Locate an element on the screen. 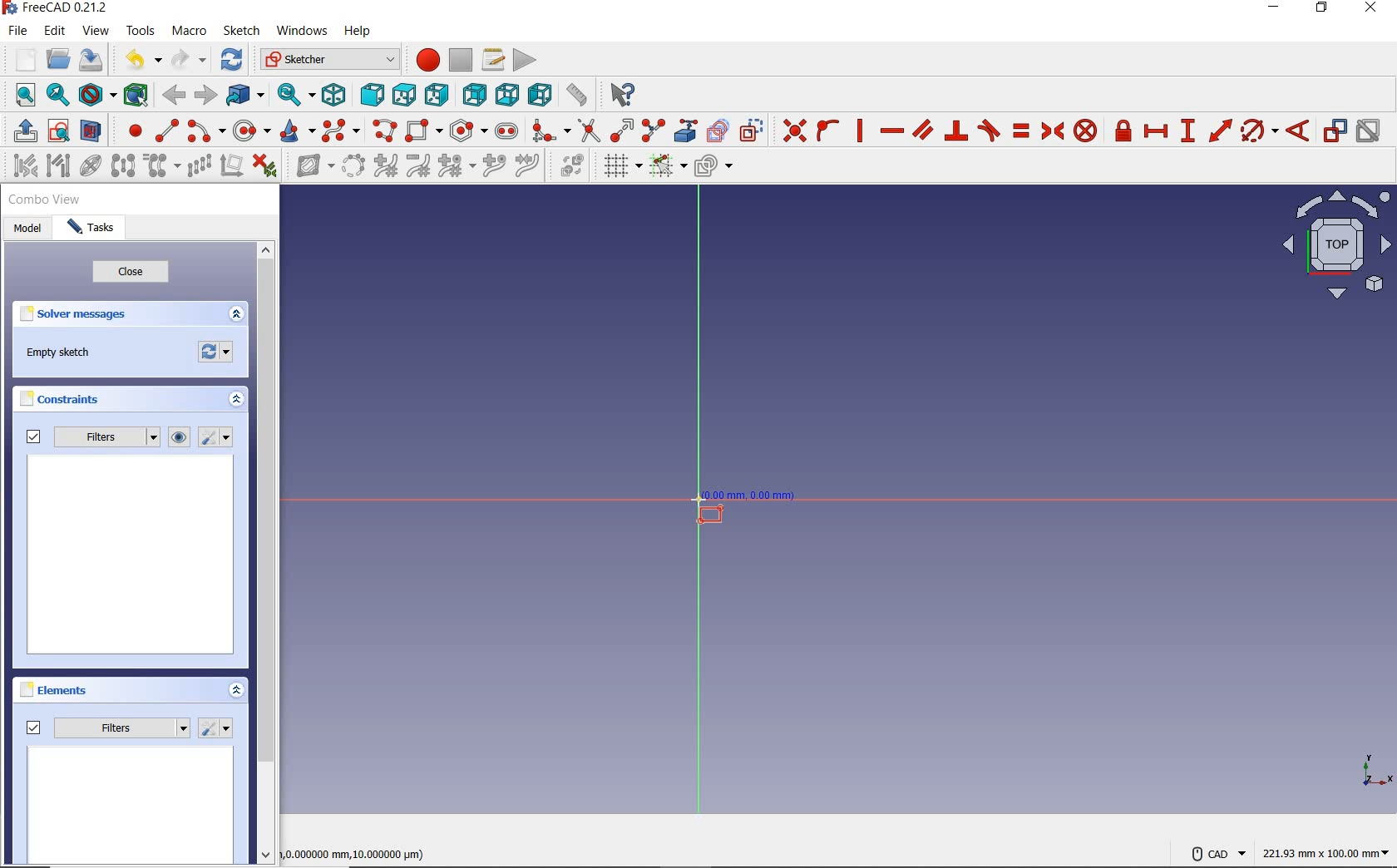 The height and width of the screenshot is (868, 1397). forward is located at coordinates (206, 96).